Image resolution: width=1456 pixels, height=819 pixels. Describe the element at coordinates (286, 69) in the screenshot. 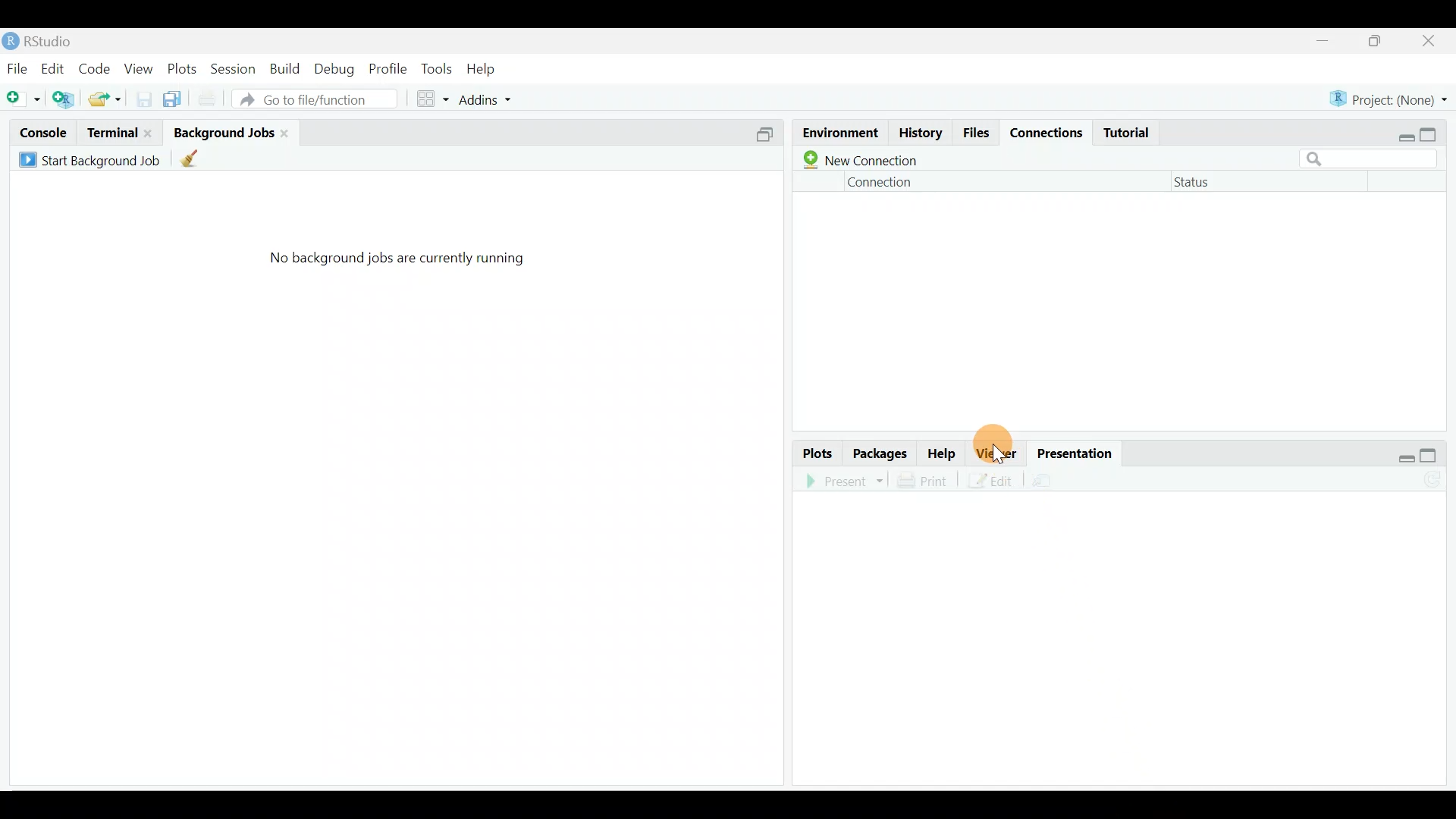

I see `Build` at that location.